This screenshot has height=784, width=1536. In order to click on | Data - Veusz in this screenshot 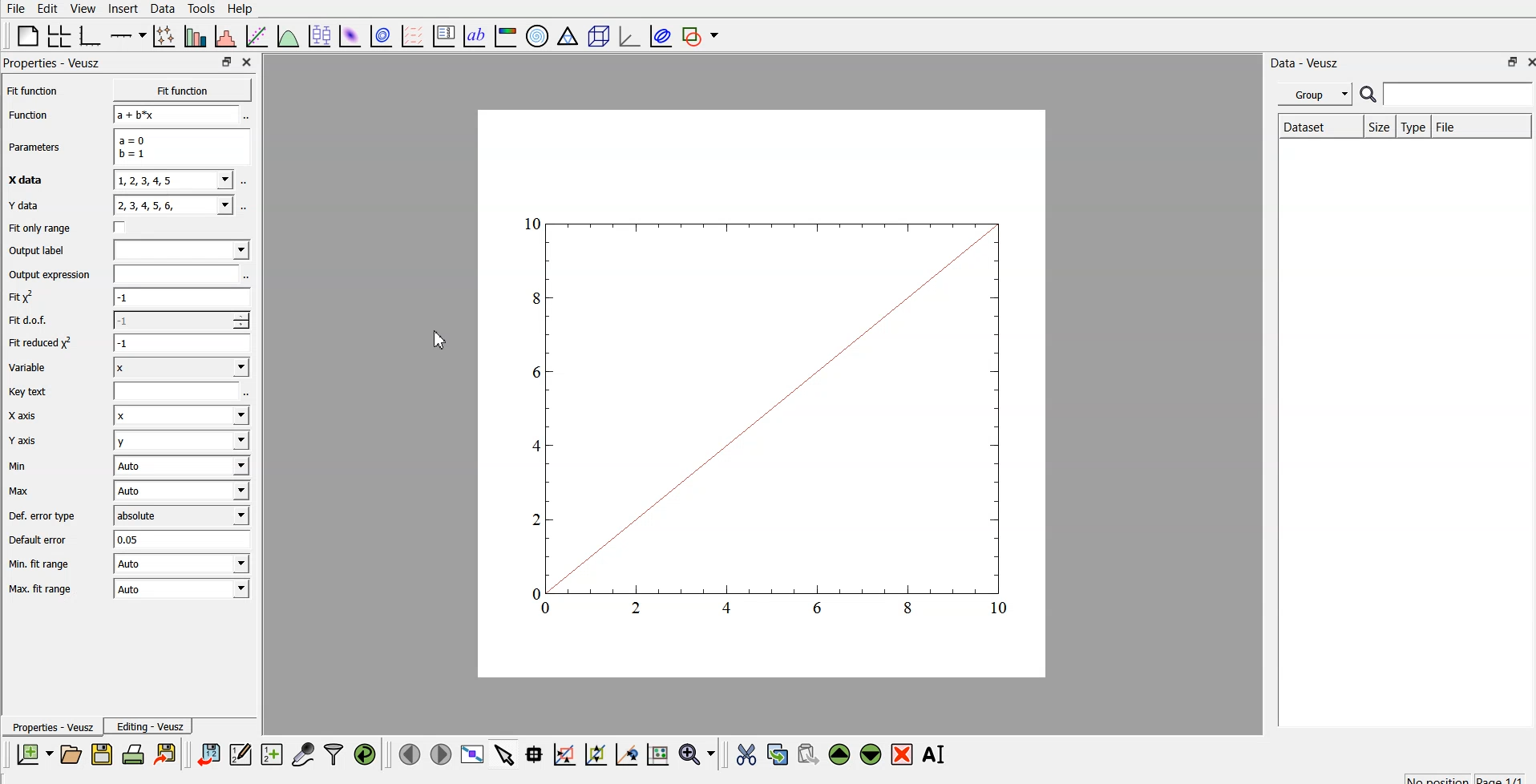, I will do `click(1303, 63)`.